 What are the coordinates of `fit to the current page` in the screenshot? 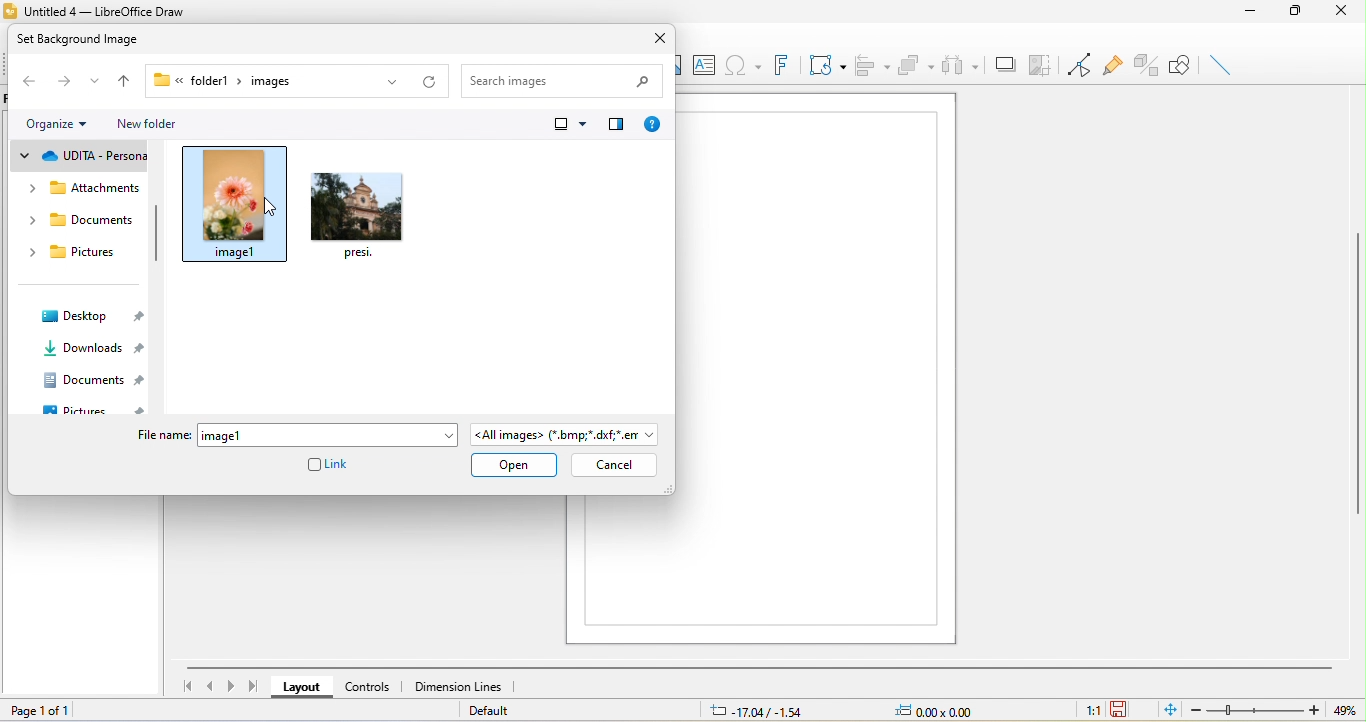 It's located at (1168, 709).